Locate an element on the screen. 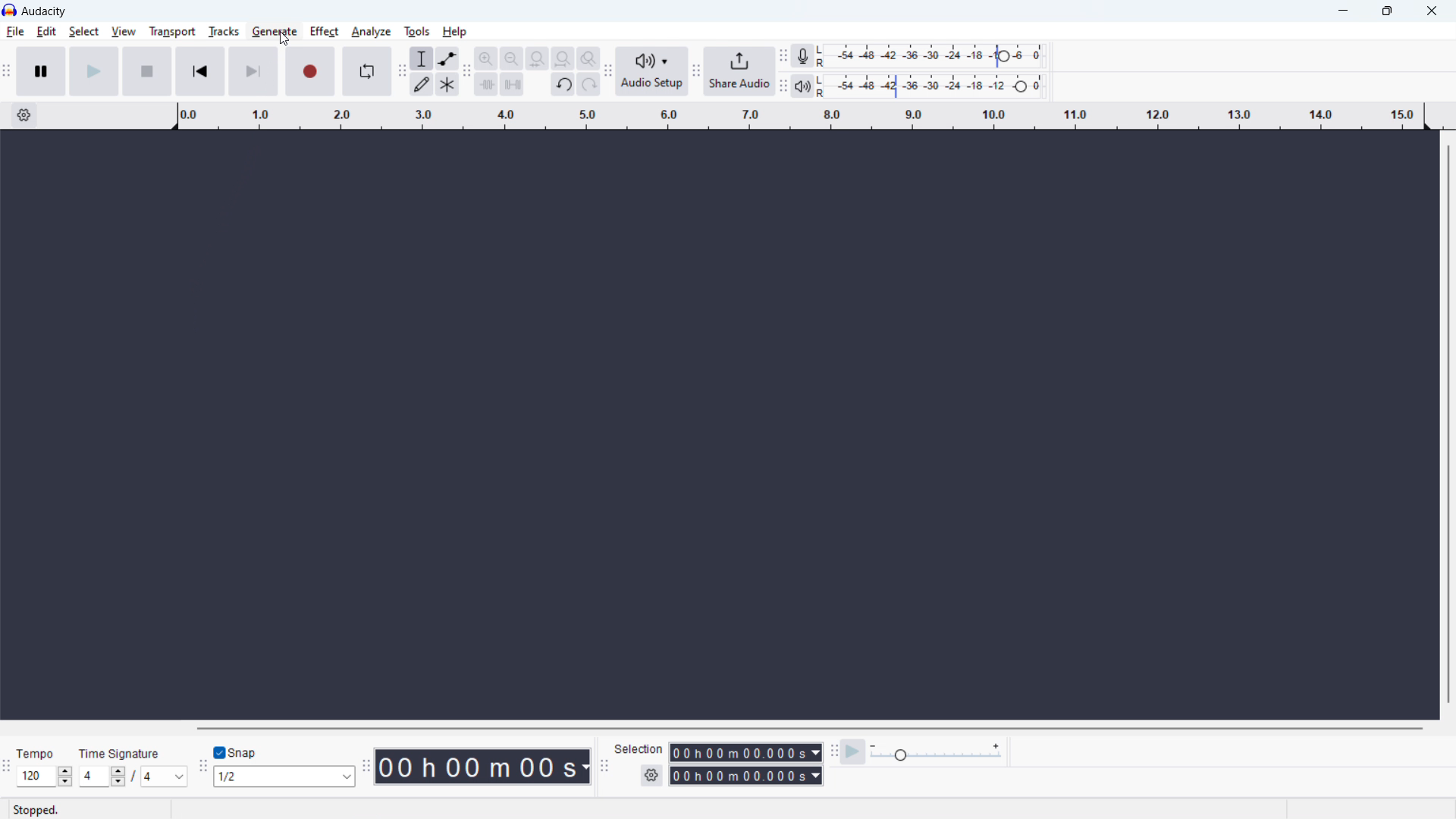 Image resolution: width=1456 pixels, height=819 pixels. Time signature is located at coordinates (121, 751).